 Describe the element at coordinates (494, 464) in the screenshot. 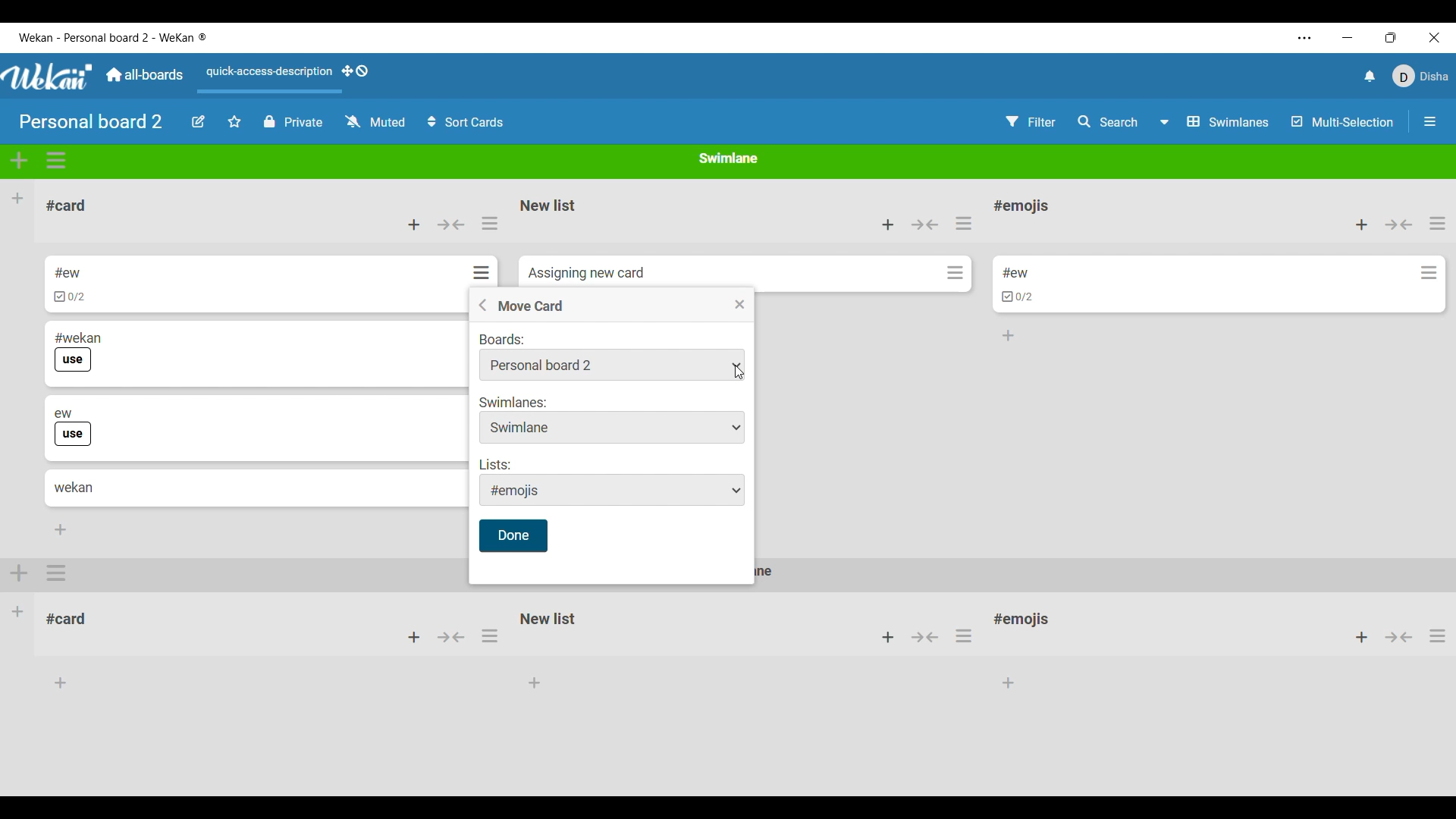

I see `Indicates list options` at that location.